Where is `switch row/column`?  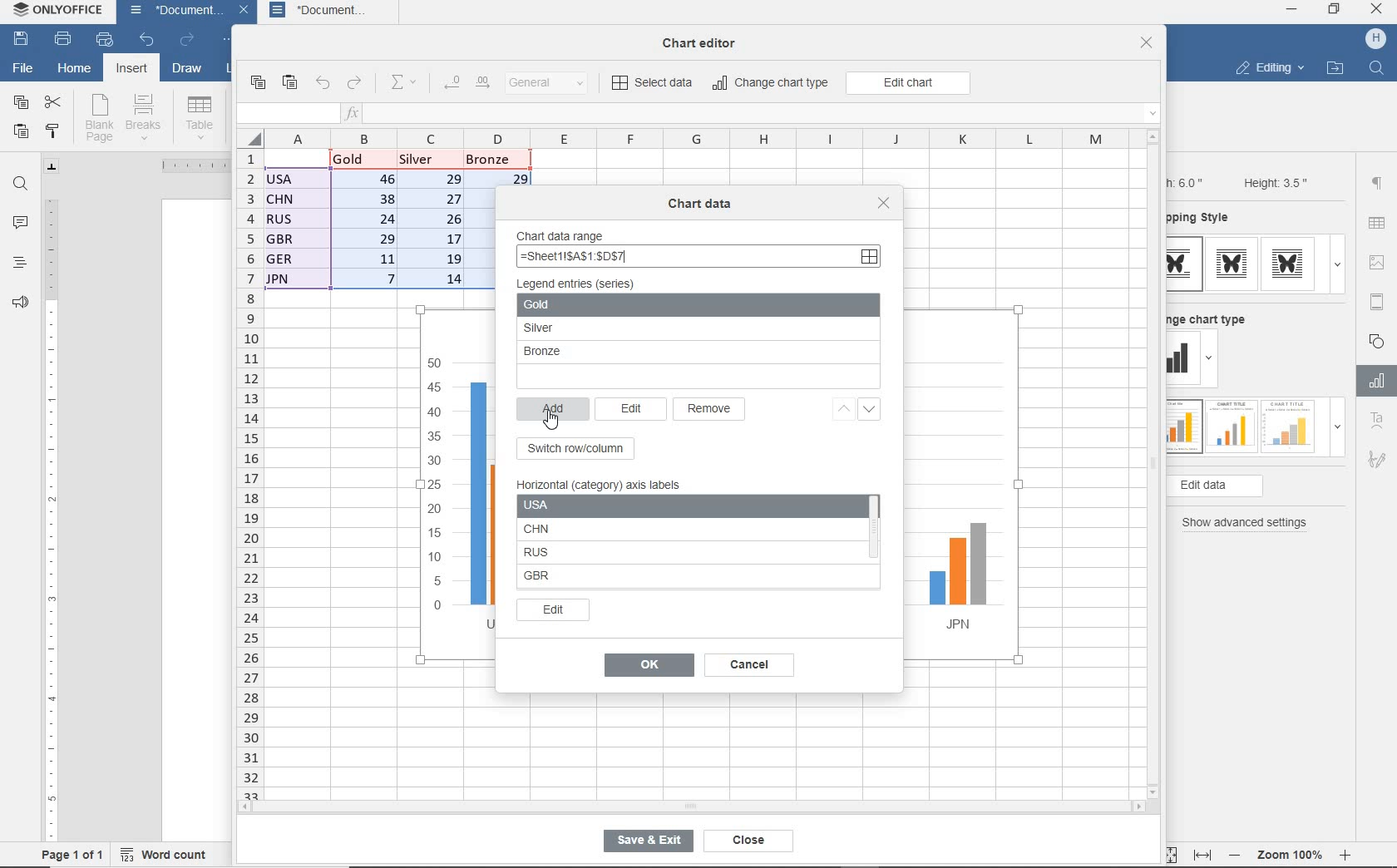 switch row/column is located at coordinates (580, 449).